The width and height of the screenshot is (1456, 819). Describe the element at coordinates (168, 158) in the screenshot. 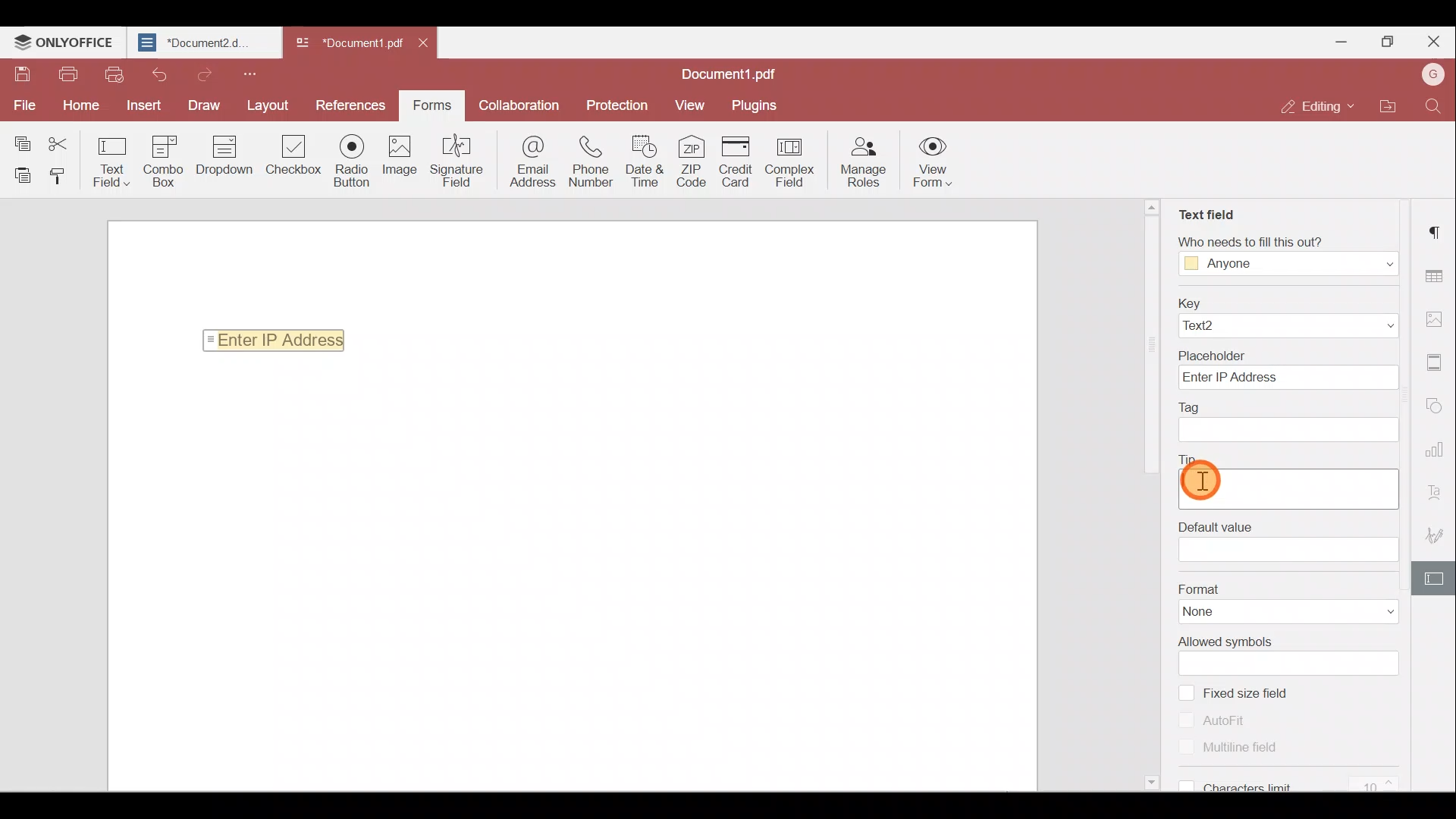

I see `Combo box` at that location.